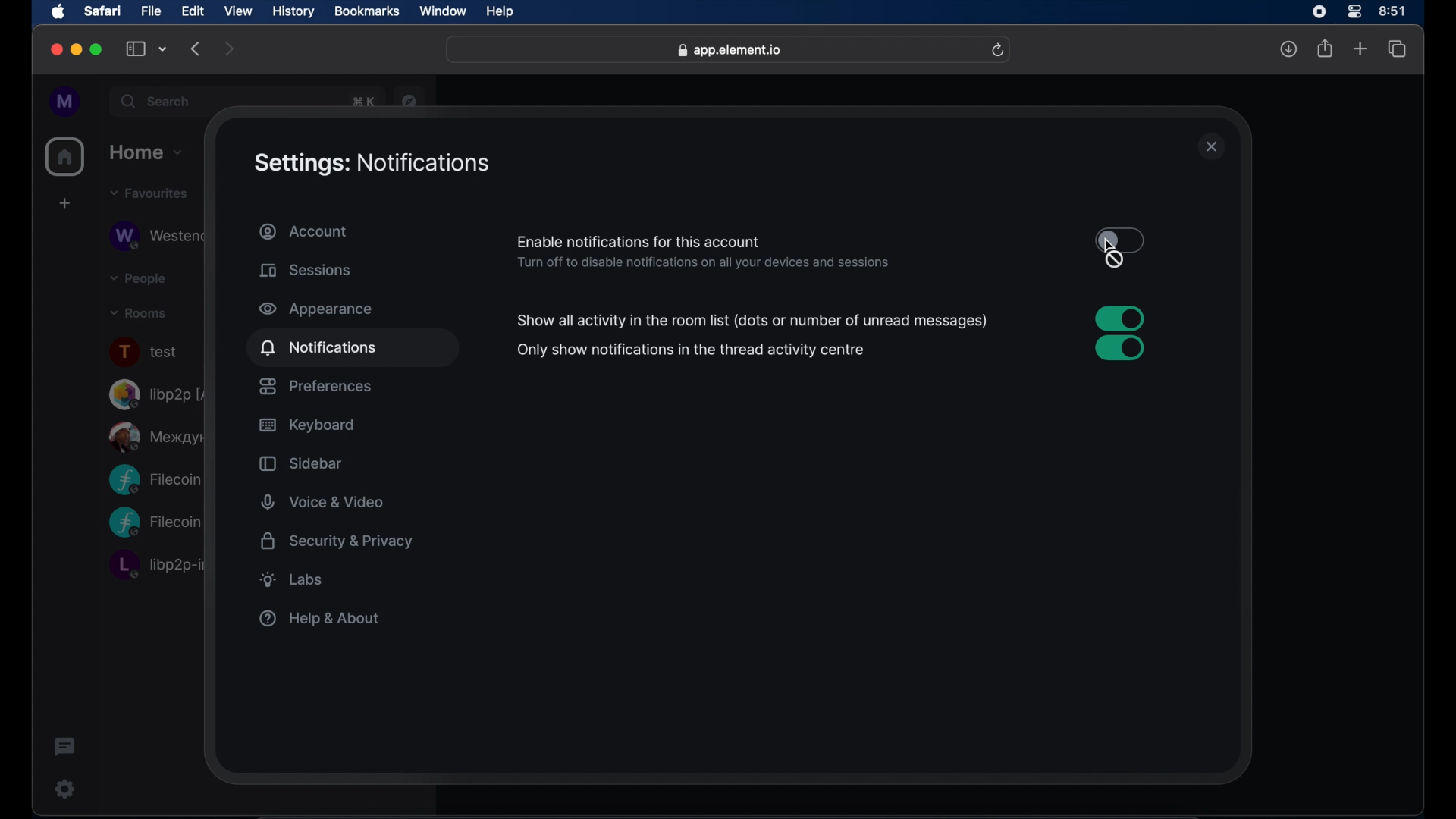 The width and height of the screenshot is (1456, 819). What do you see at coordinates (1119, 318) in the screenshot?
I see `toggle button` at bounding box center [1119, 318].